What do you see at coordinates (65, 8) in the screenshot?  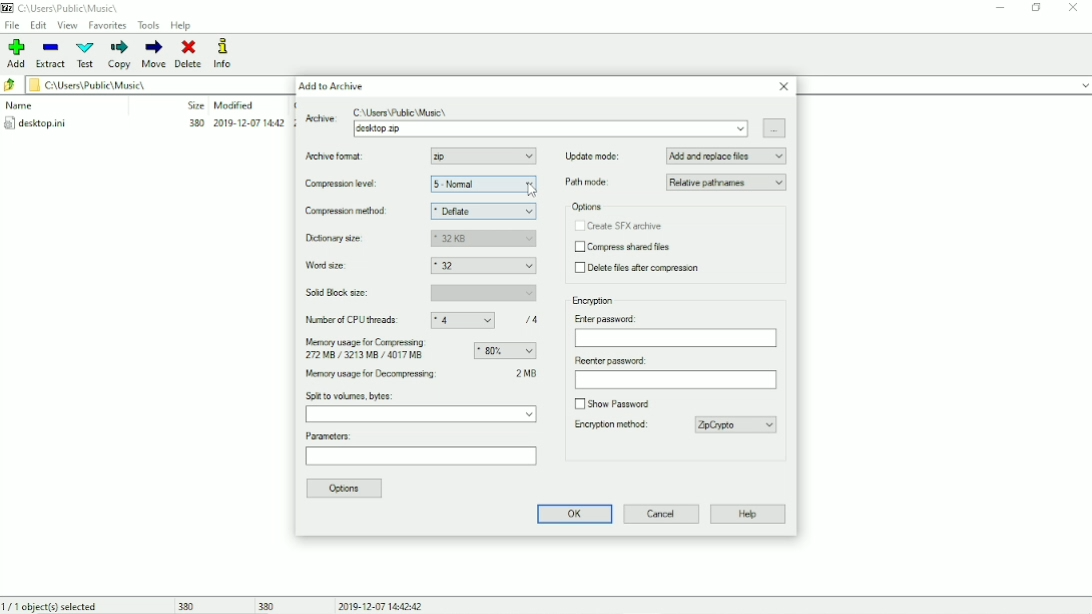 I see `Location` at bounding box center [65, 8].